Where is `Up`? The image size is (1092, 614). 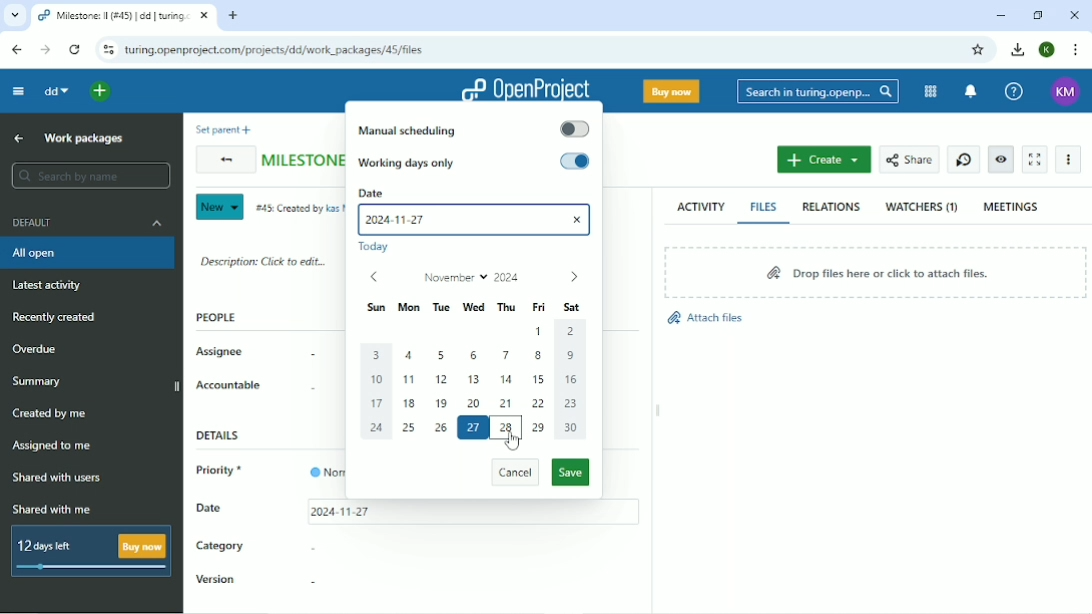 Up is located at coordinates (20, 138).